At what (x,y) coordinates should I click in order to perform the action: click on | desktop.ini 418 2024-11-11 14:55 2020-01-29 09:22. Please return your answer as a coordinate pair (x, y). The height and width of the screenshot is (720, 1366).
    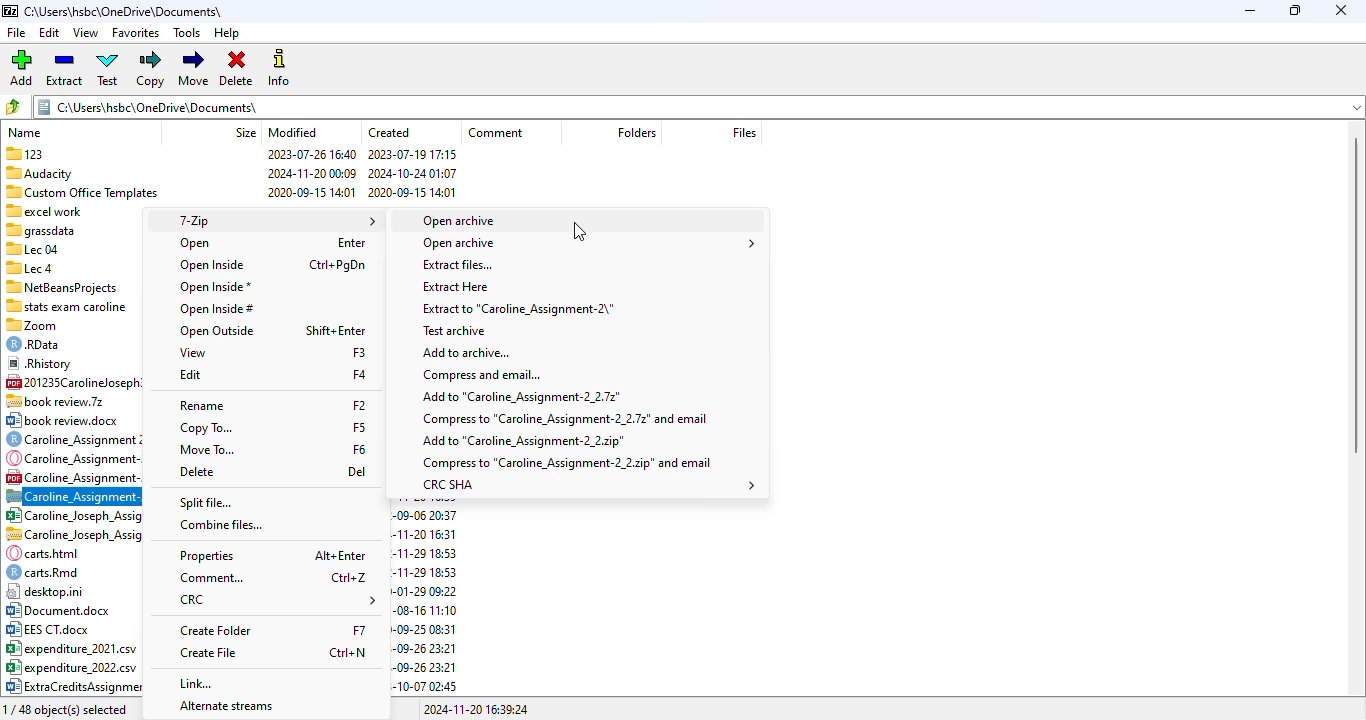
    Looking at the image, I should click on (70, 591).